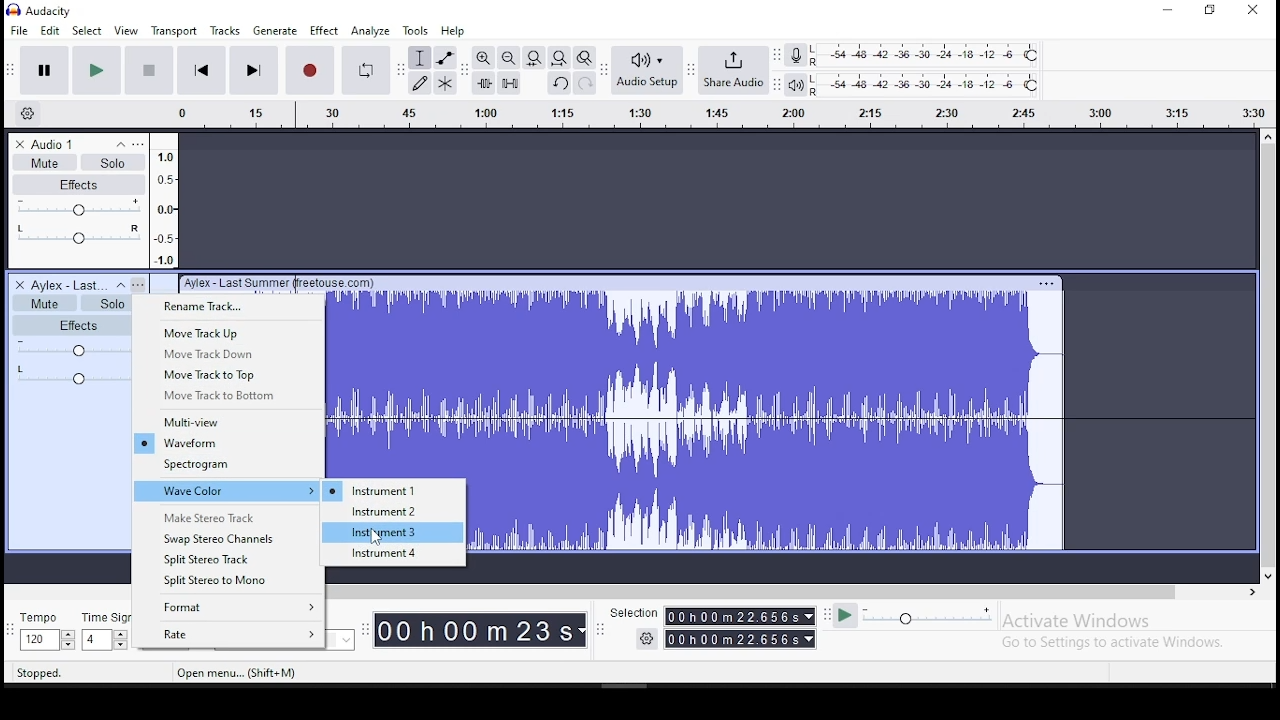  Describe the element at coordinates (818, 50) in the screenshot. I see `L` at that location.